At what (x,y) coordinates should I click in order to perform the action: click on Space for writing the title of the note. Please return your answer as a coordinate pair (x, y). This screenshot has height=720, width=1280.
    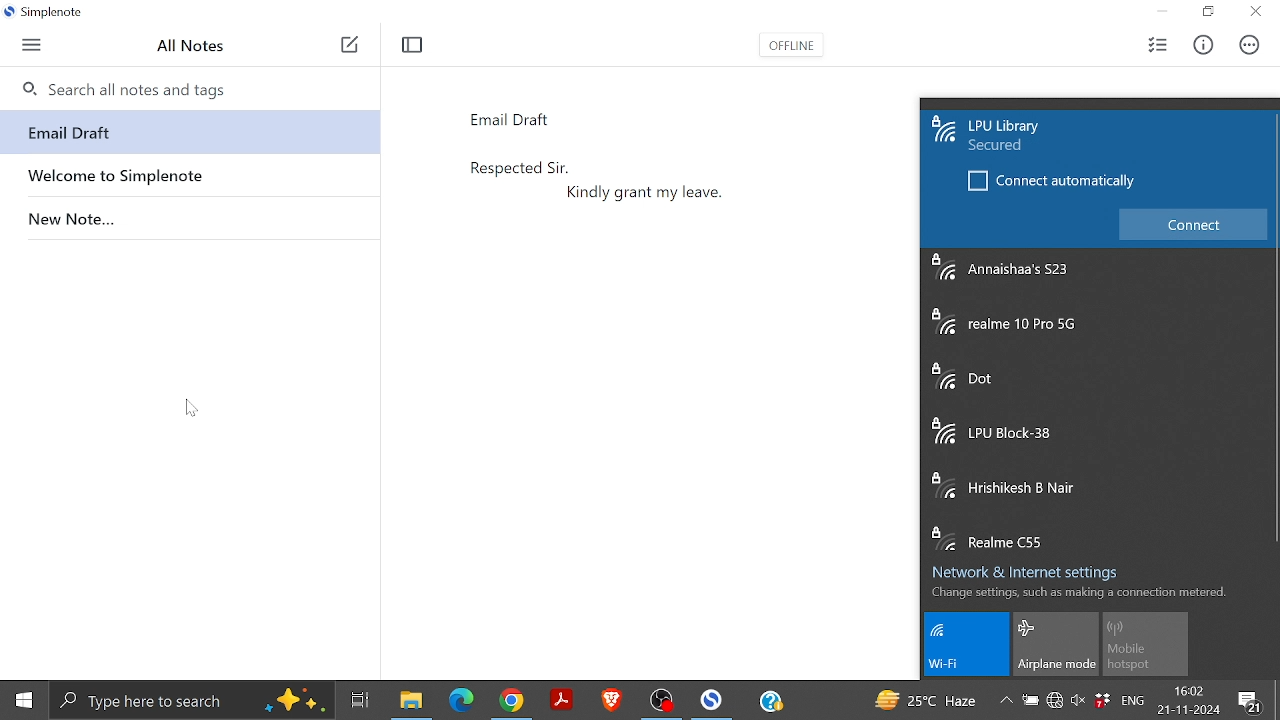
    Looking at the image, I should click on (559, 117).